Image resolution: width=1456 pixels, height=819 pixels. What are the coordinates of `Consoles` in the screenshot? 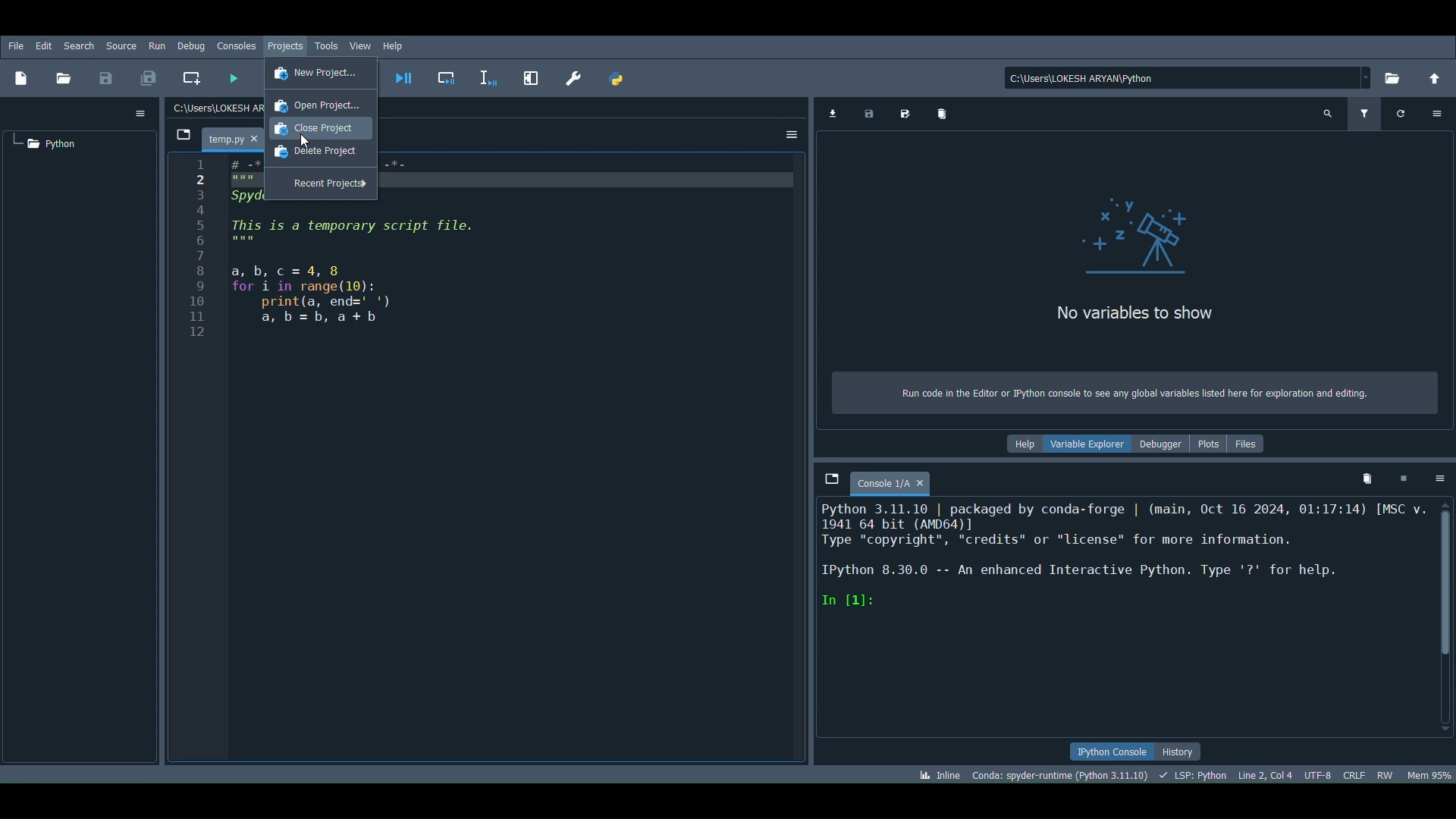 It's located at (238, 44).